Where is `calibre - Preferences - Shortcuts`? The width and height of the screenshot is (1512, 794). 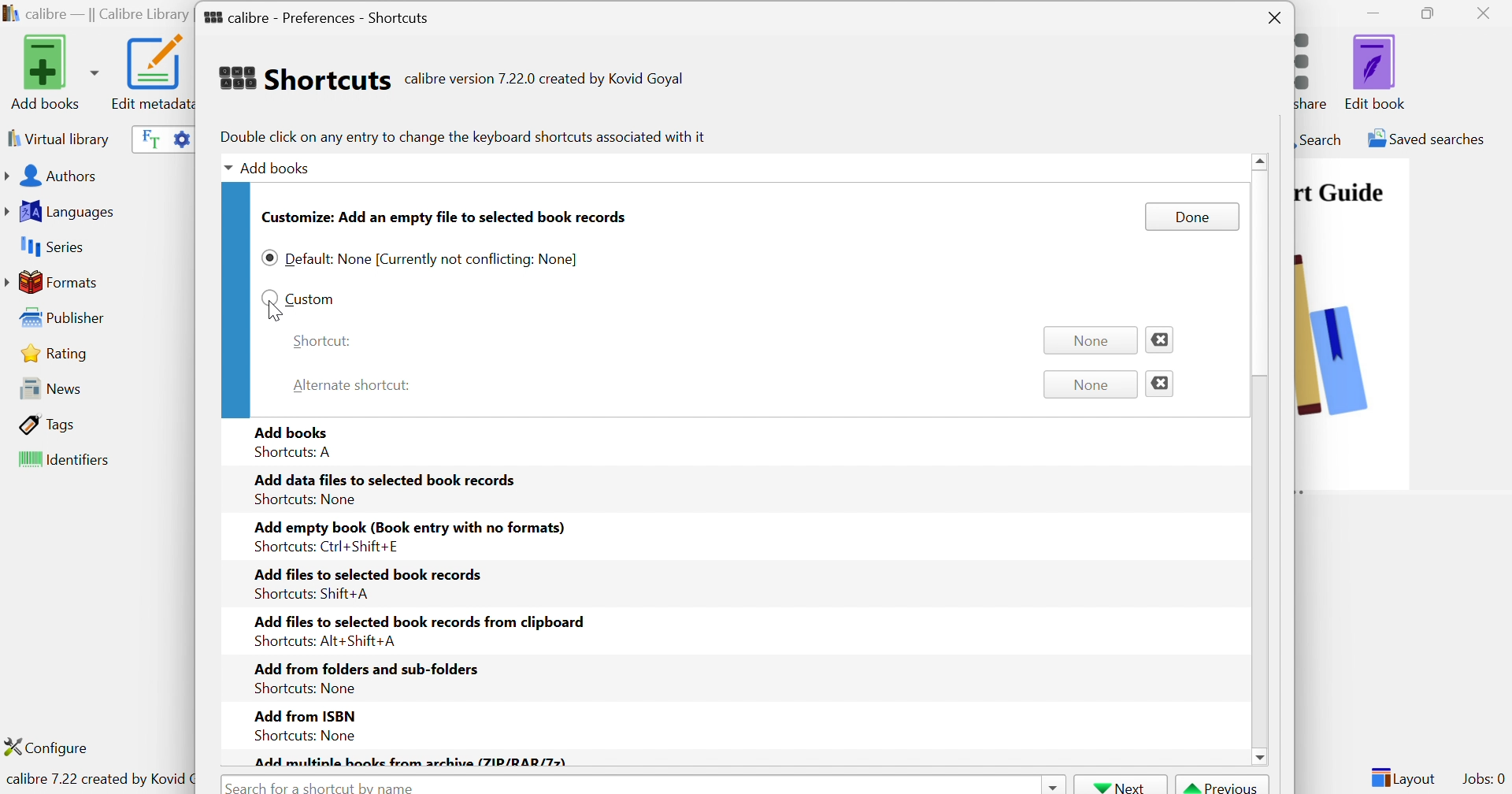 calibre - Preferences - Shortcuts is located at coordinates (317, 14).